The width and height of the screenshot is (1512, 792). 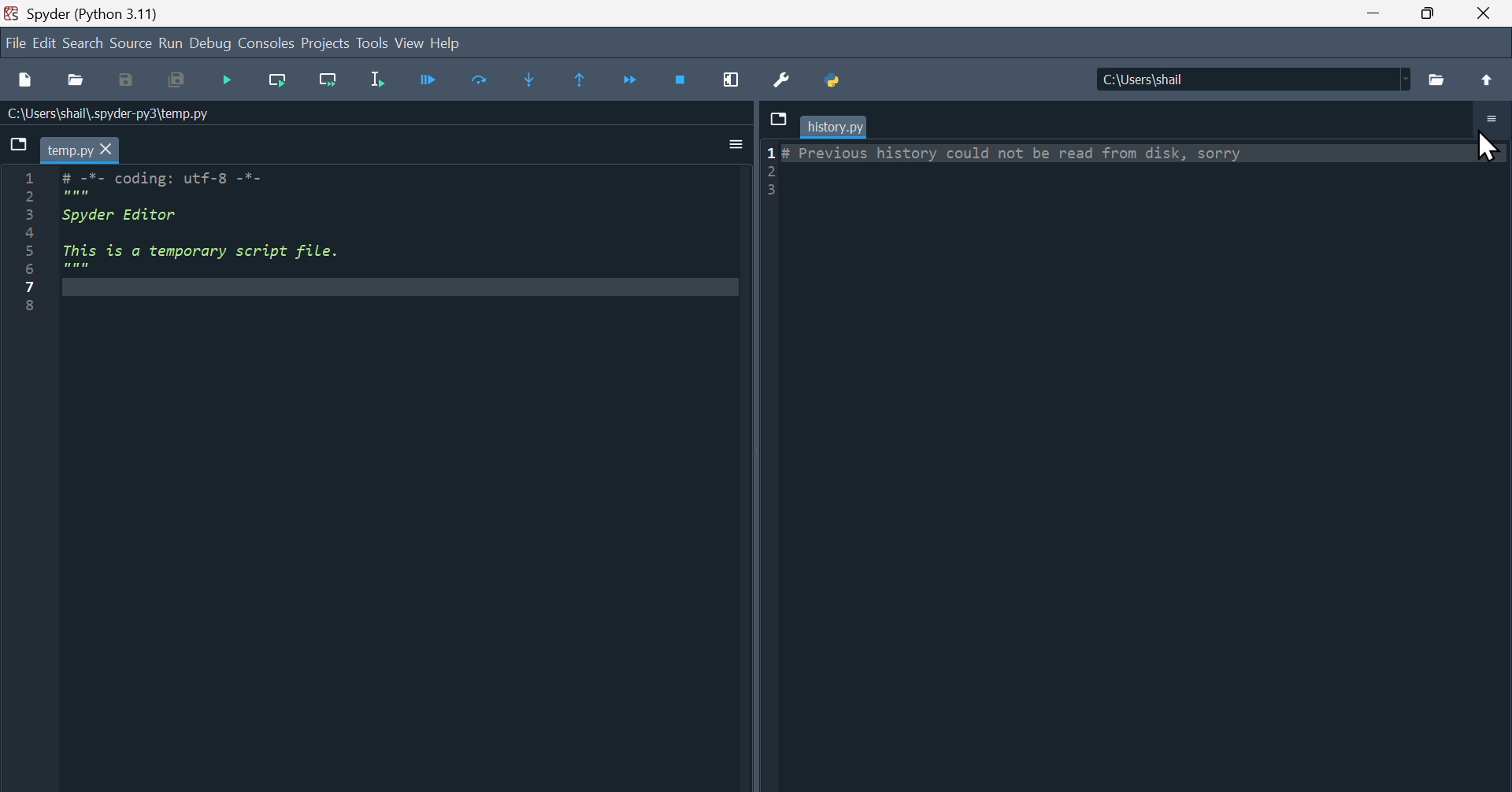 What do you see at coordinates (279, 81) in the screenshot?
I see `Run current line` at bounding box center [279, 81].